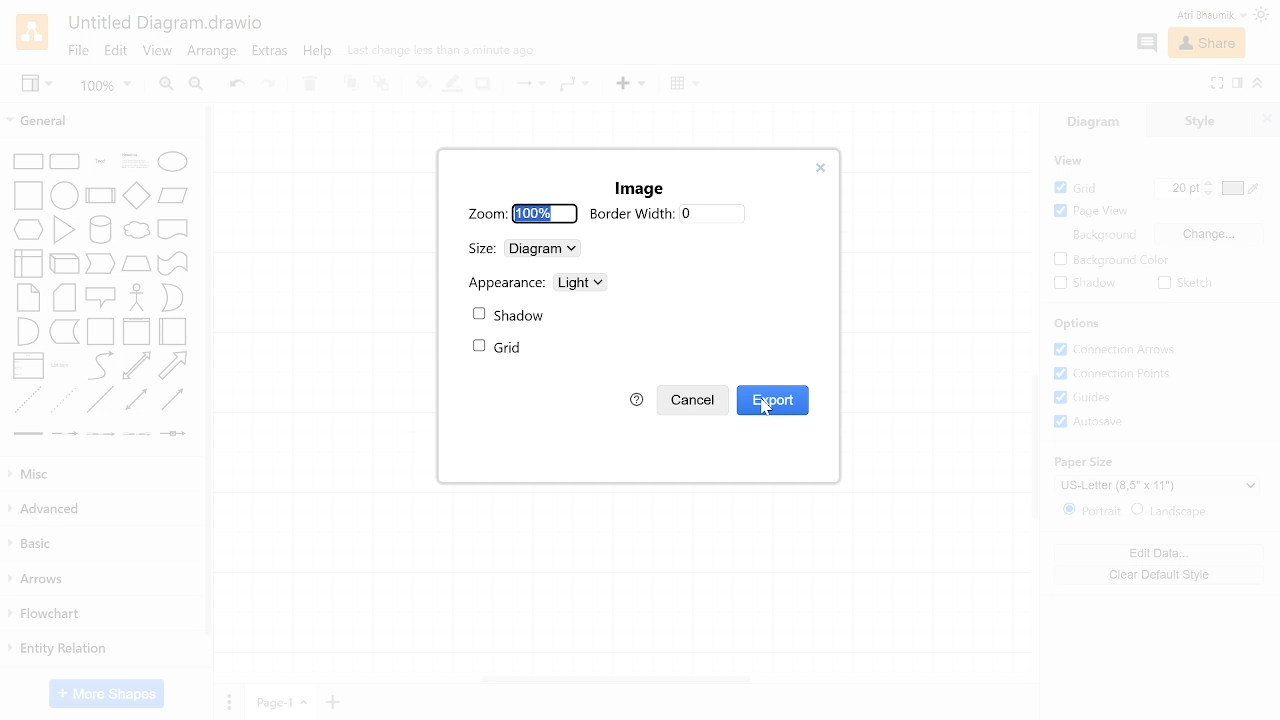 Image resolution: width=1280 pixels, height=720 pixels. What do you see at coordinates (1210, 44) in the screenshot?
I see `Share` at bounding box center [1210, 44].